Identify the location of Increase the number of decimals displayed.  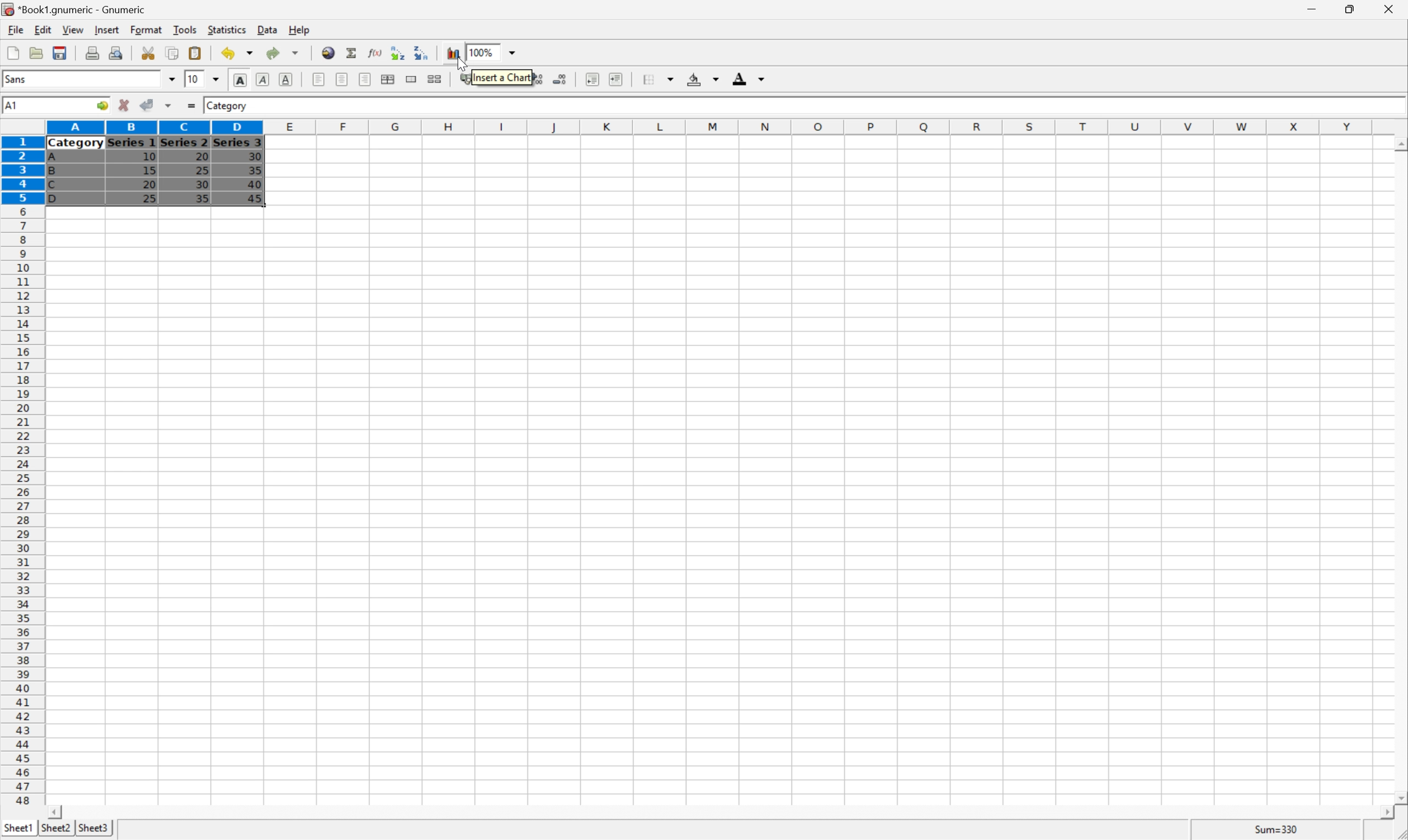
(538, 79).